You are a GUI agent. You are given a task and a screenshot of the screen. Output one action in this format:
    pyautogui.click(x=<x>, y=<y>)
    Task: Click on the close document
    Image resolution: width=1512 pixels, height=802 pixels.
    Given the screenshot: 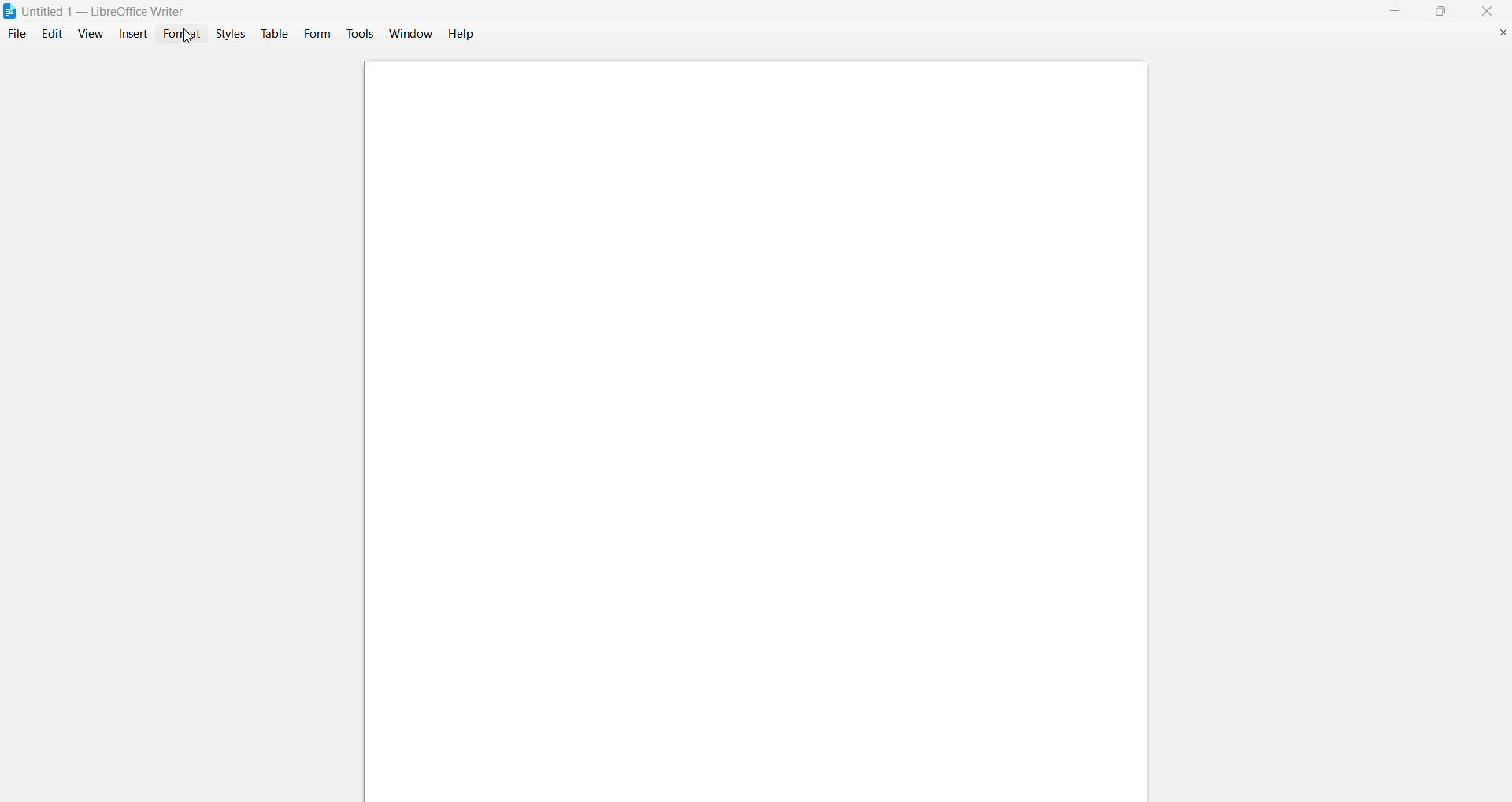 What is the action you would take?
    pyautogui.click(x=1503, y=32)
    